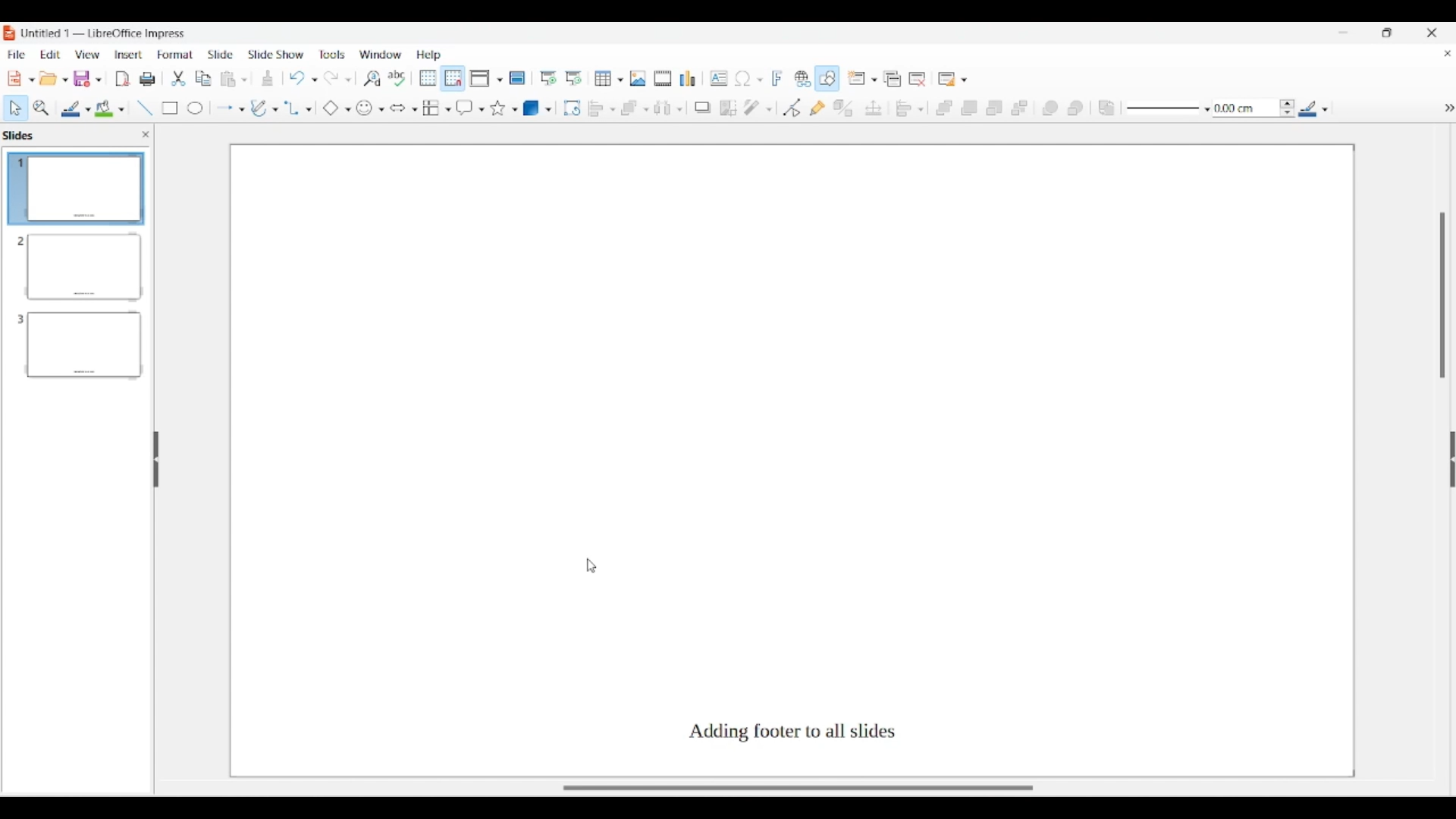  I want to click on Bring to front, so click(944, 108).